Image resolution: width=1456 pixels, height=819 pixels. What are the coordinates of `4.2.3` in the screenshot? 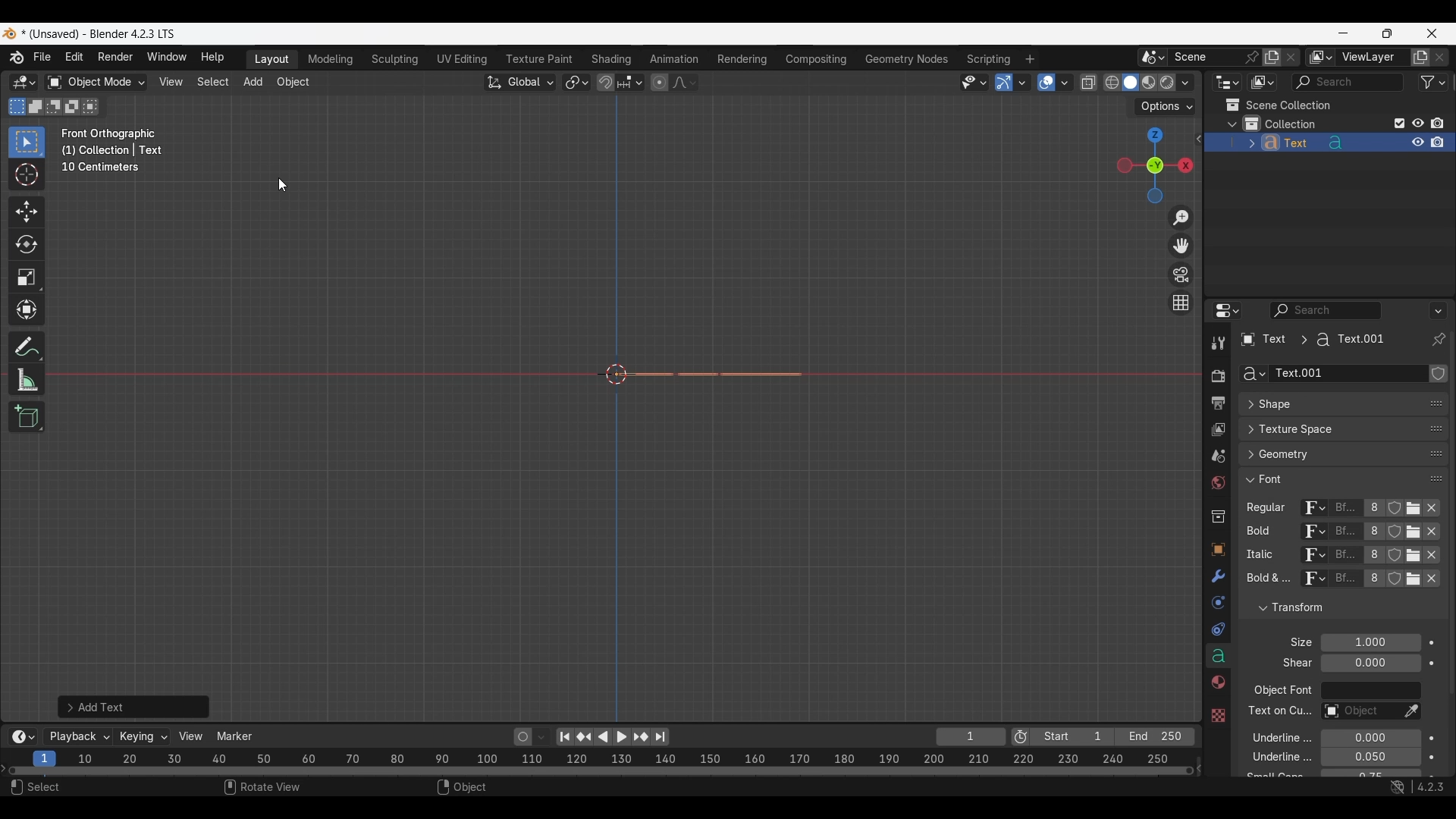 It's located at (1432, 789).